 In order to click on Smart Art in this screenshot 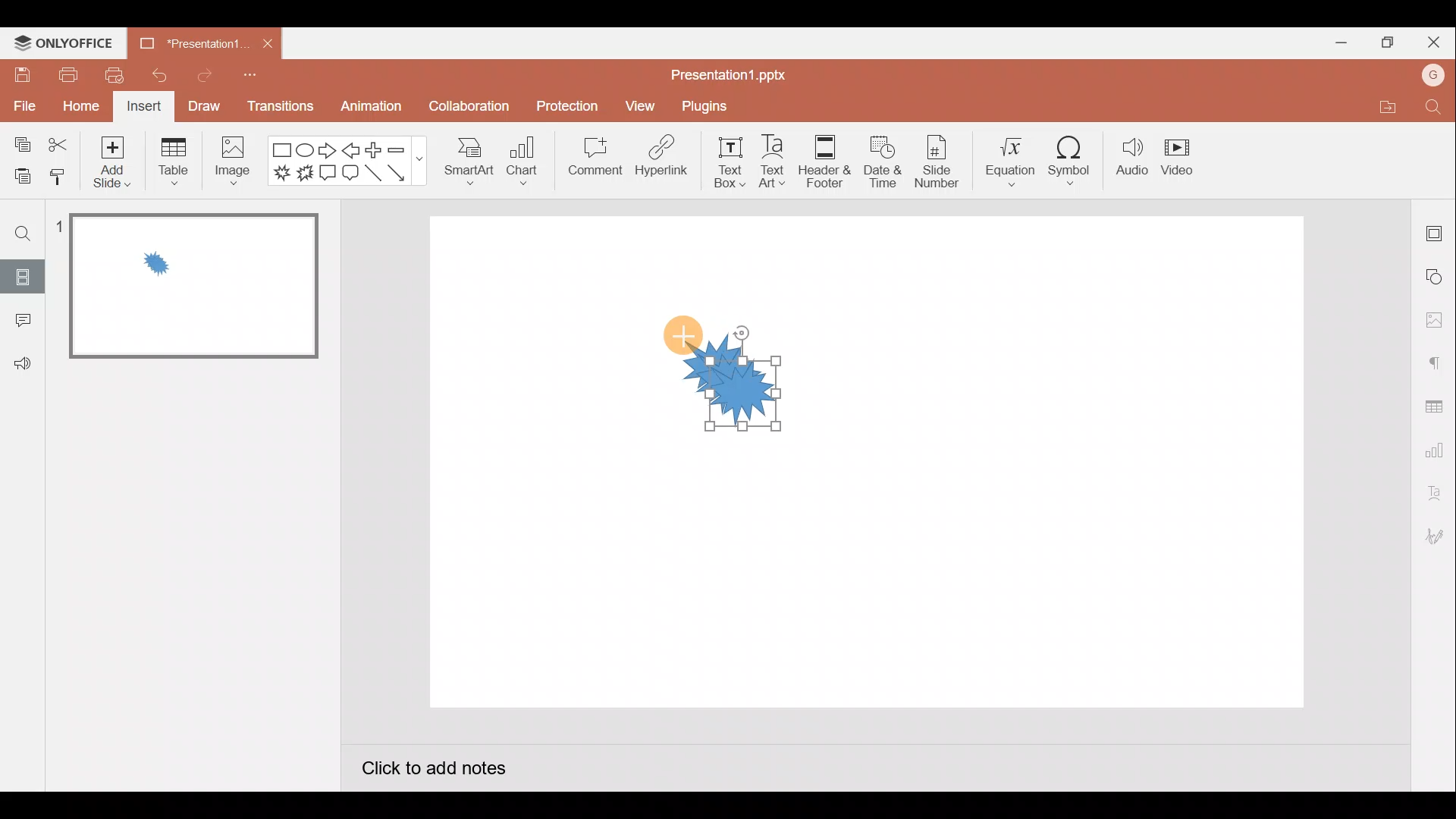, I will do `click(472, 165)`.